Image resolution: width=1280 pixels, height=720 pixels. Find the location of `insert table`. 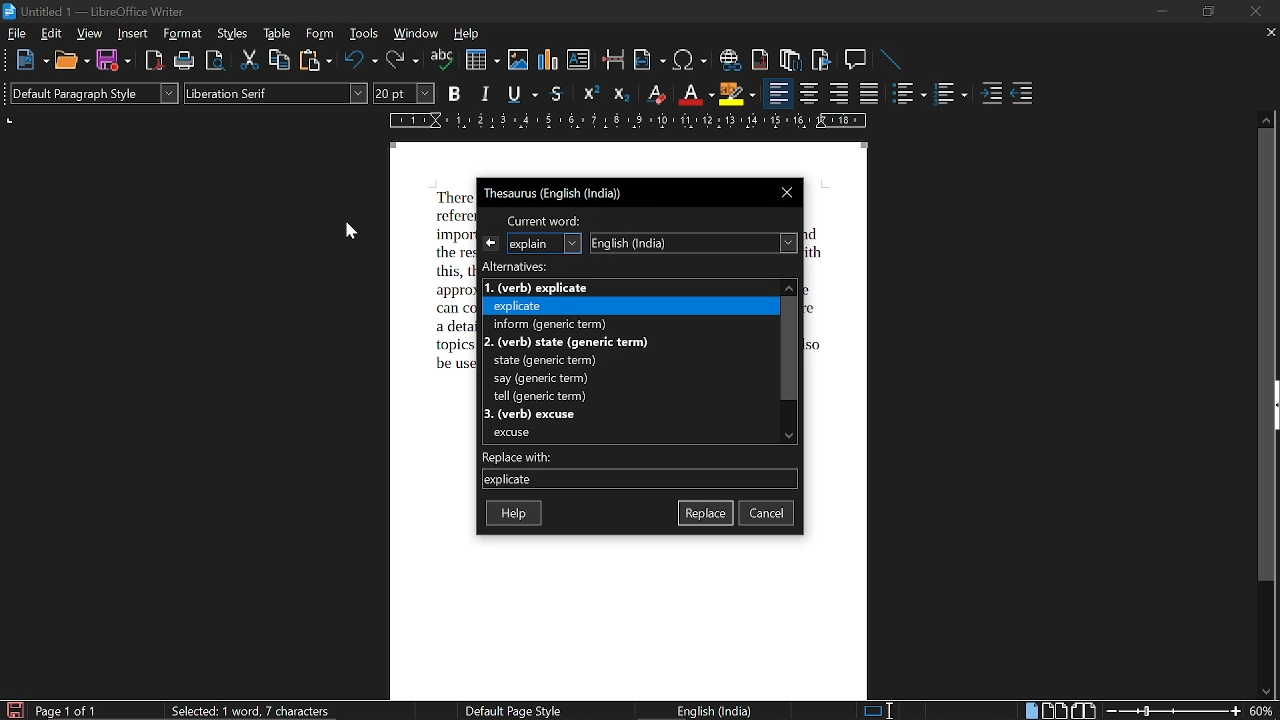

insert table is located at coordinates (482, 60).